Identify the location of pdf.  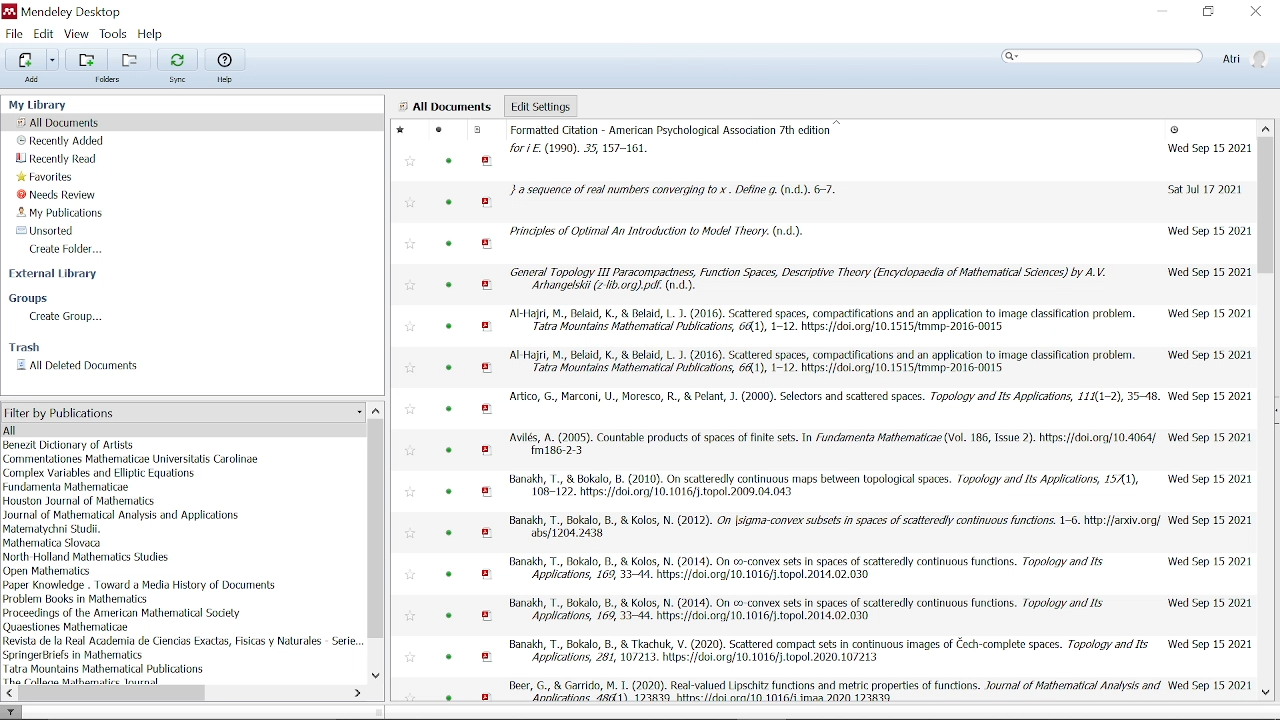
(486, 285).